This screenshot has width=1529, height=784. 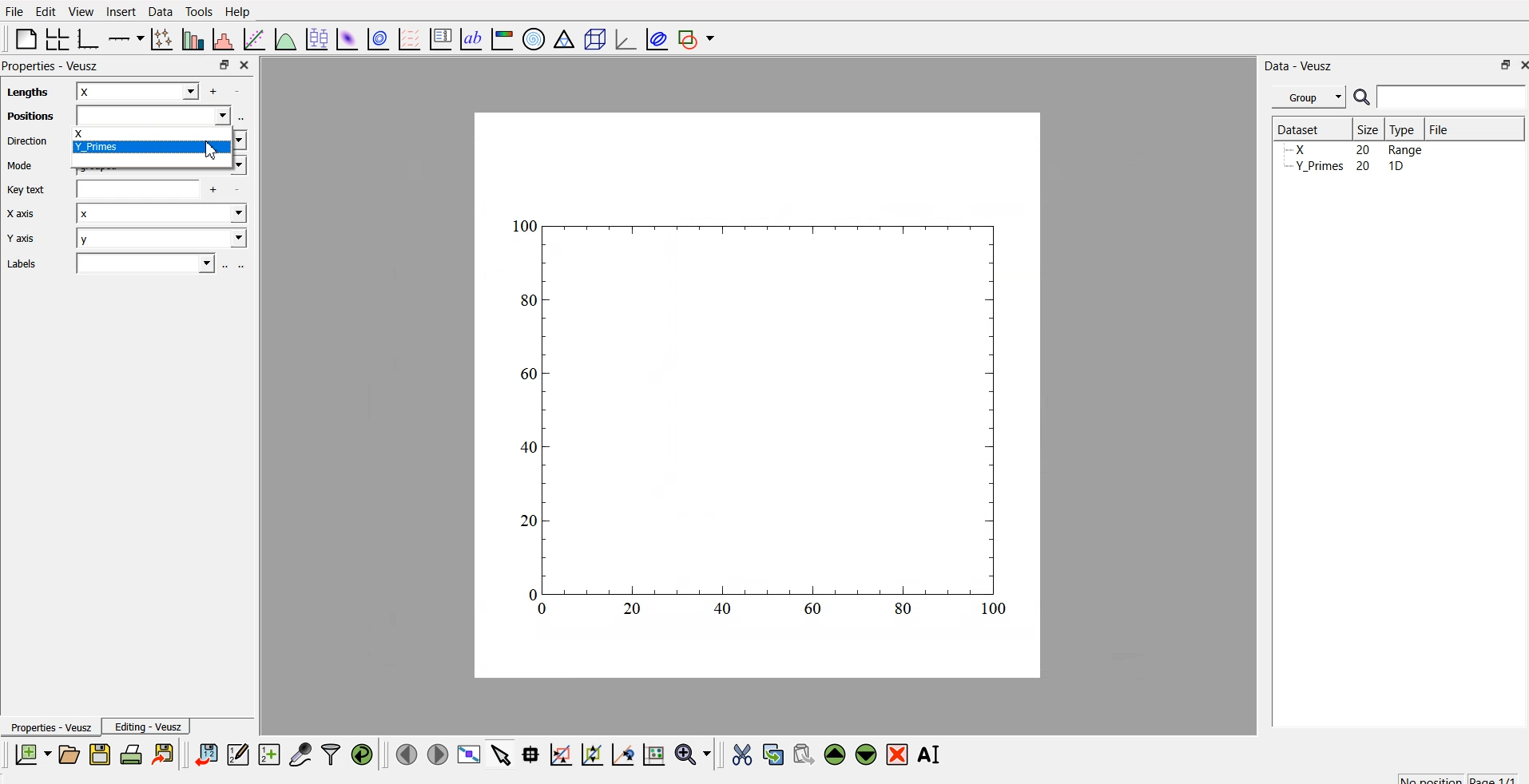 I want to click on View, so click(x=82, y=11).